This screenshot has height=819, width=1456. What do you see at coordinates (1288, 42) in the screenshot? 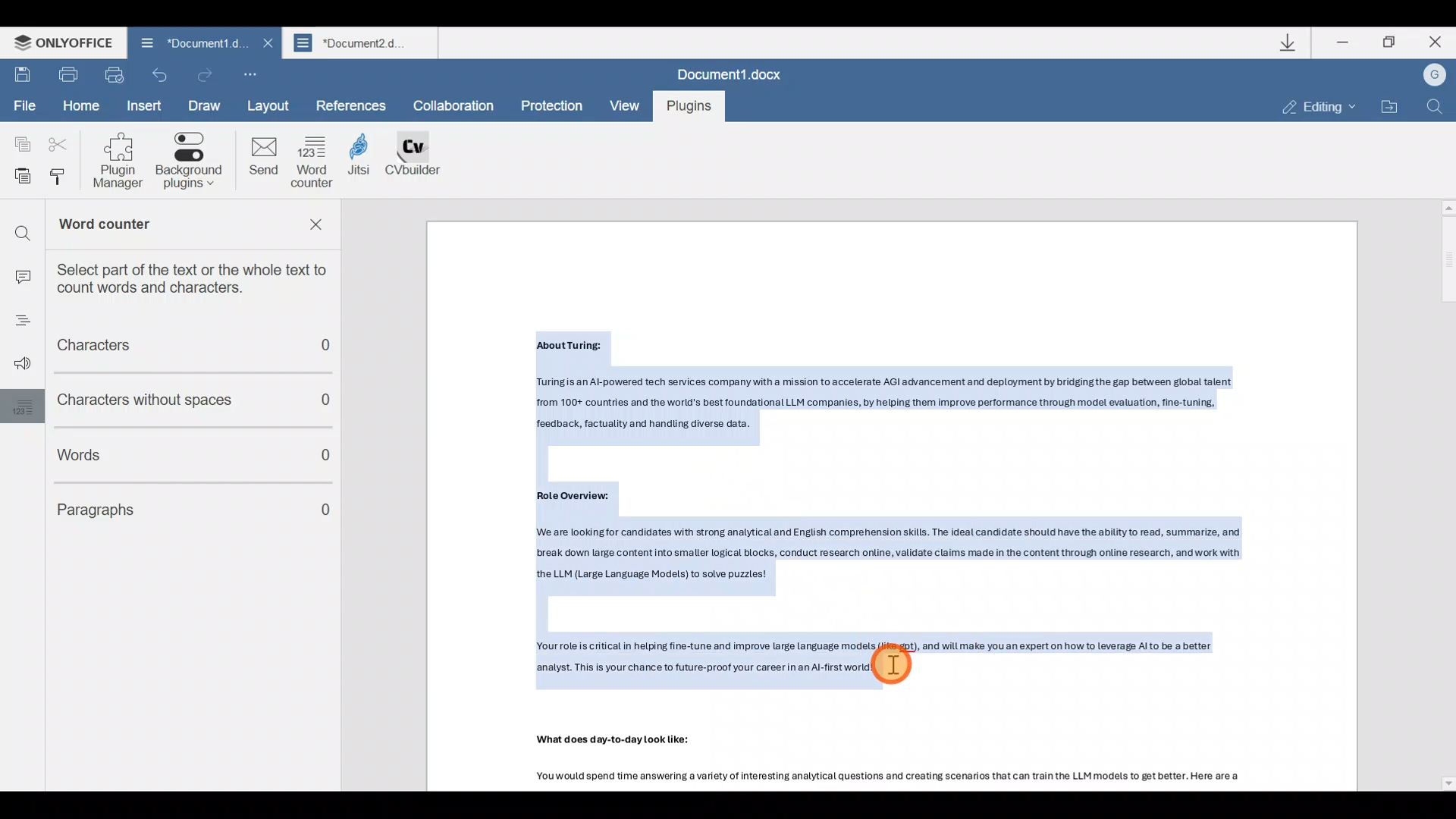
I see `Downloads` at bounding box center [1288, 42].